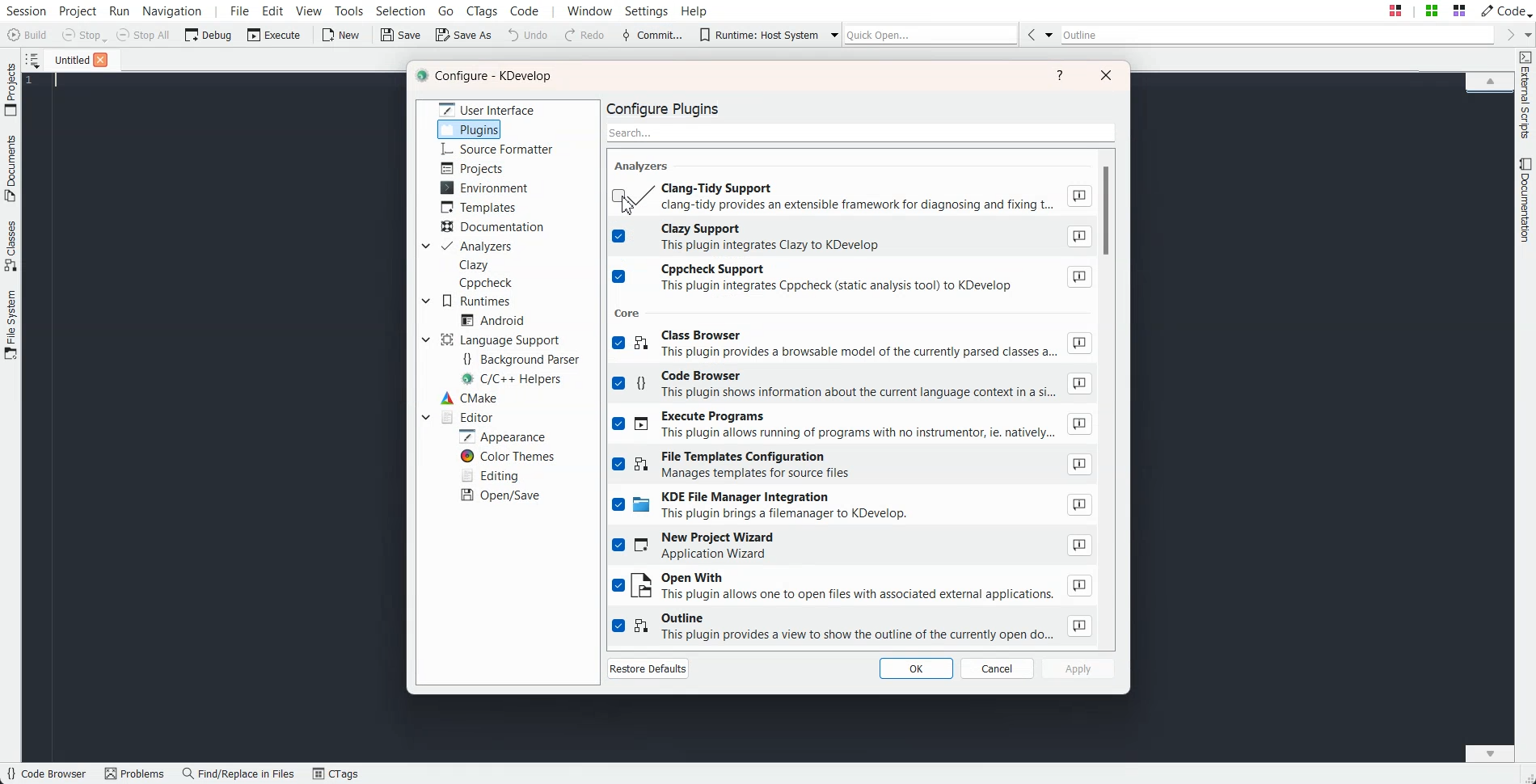 The image size is (1536, 784). Describe the element at coordinates (426, 301) in the screenshot. I see `Drop down box` at that location.